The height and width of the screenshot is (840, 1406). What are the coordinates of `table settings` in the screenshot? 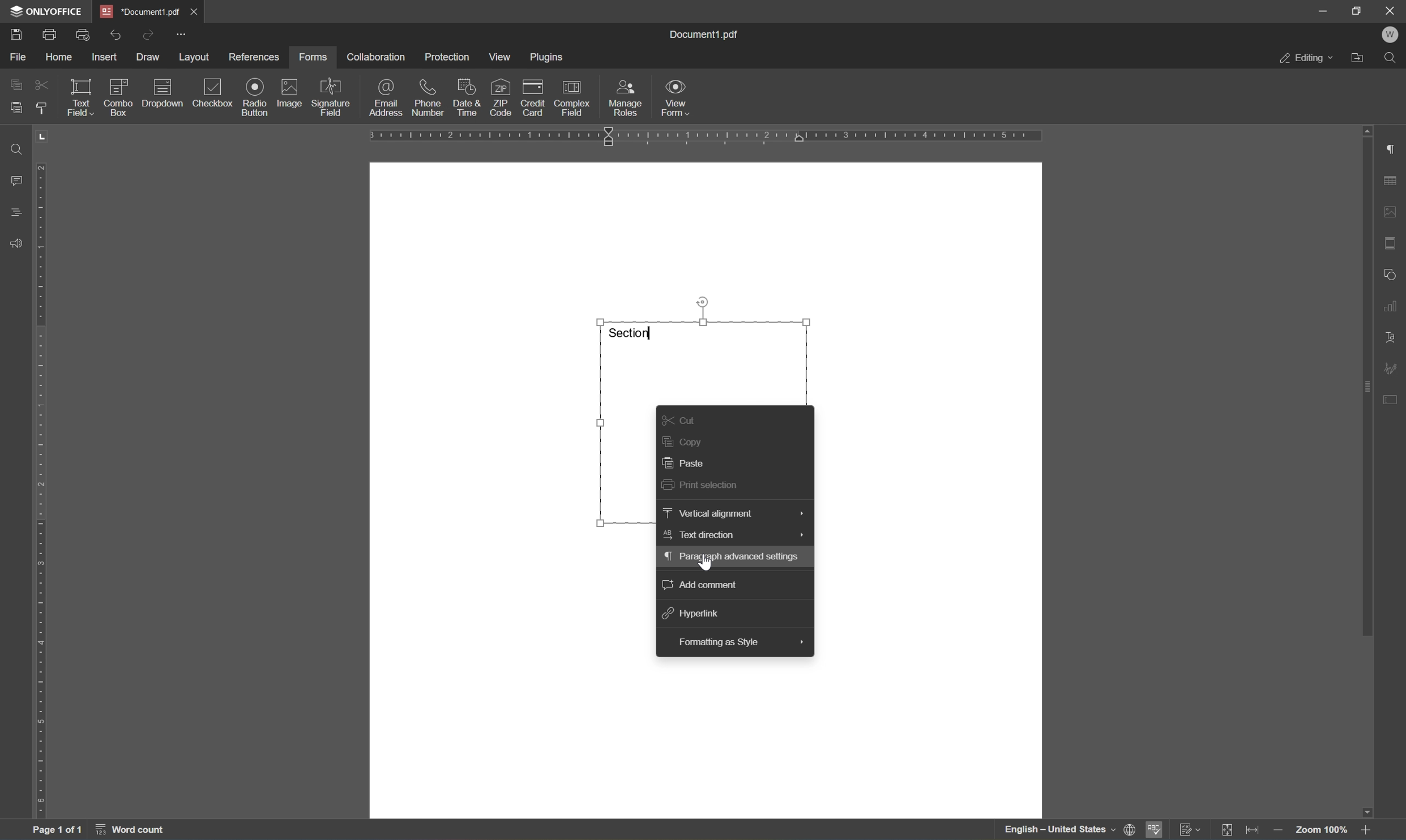 It's located at (1391, 183).